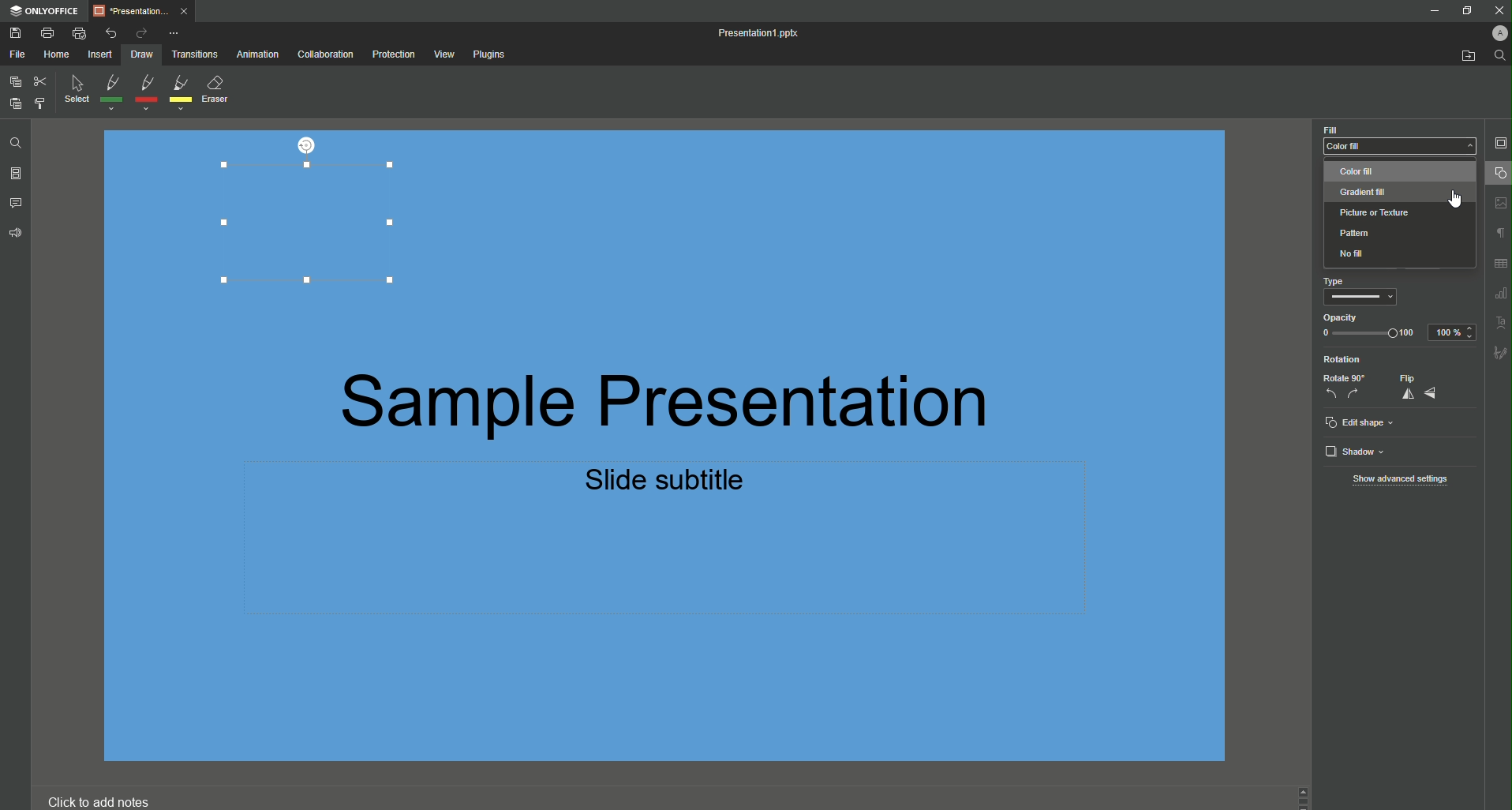 This screenshot has width=1512, height=810. I want to click on Rectangle, so click(304, 225).